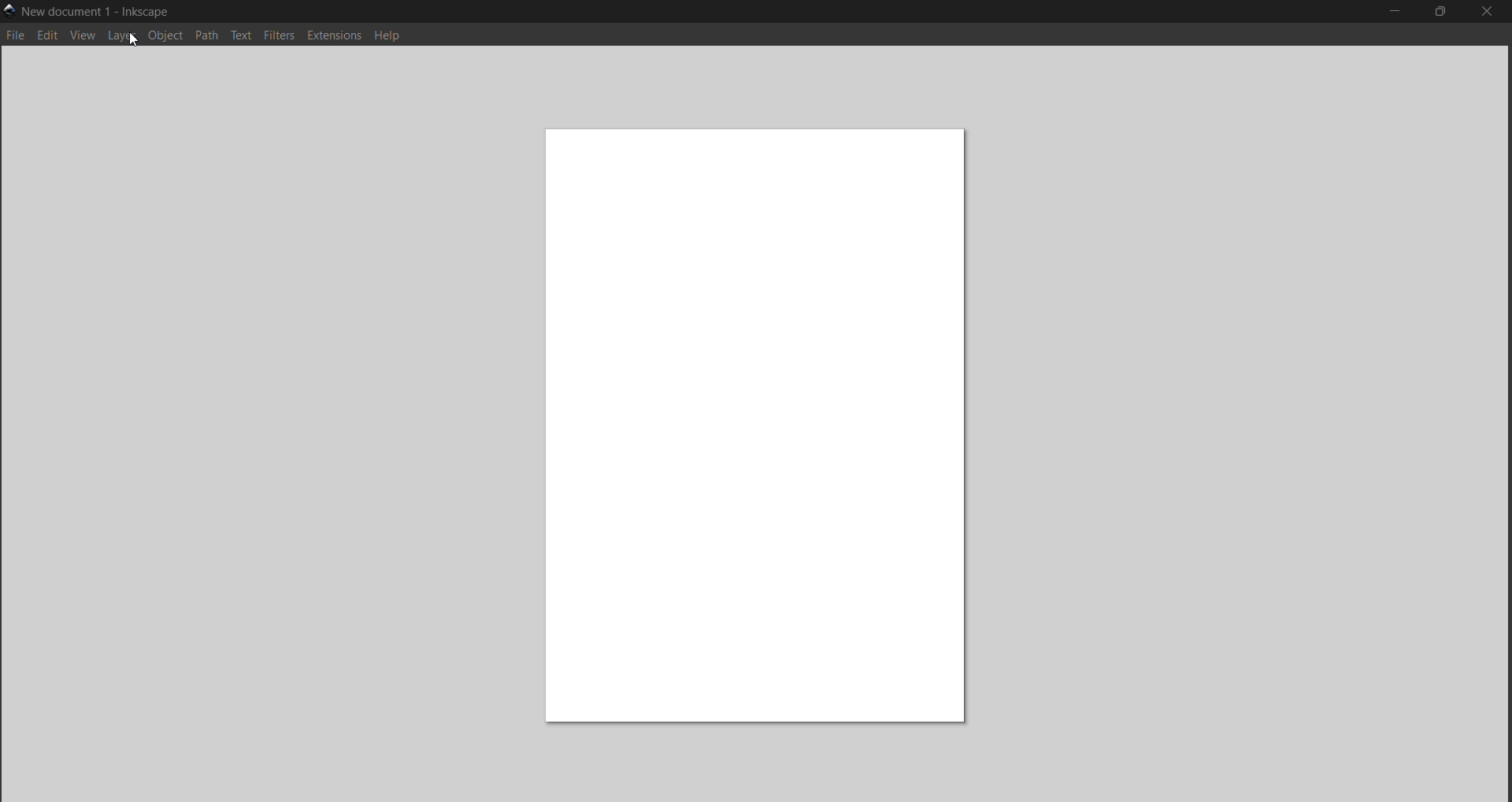  I want to click on view, so click(84, 36).